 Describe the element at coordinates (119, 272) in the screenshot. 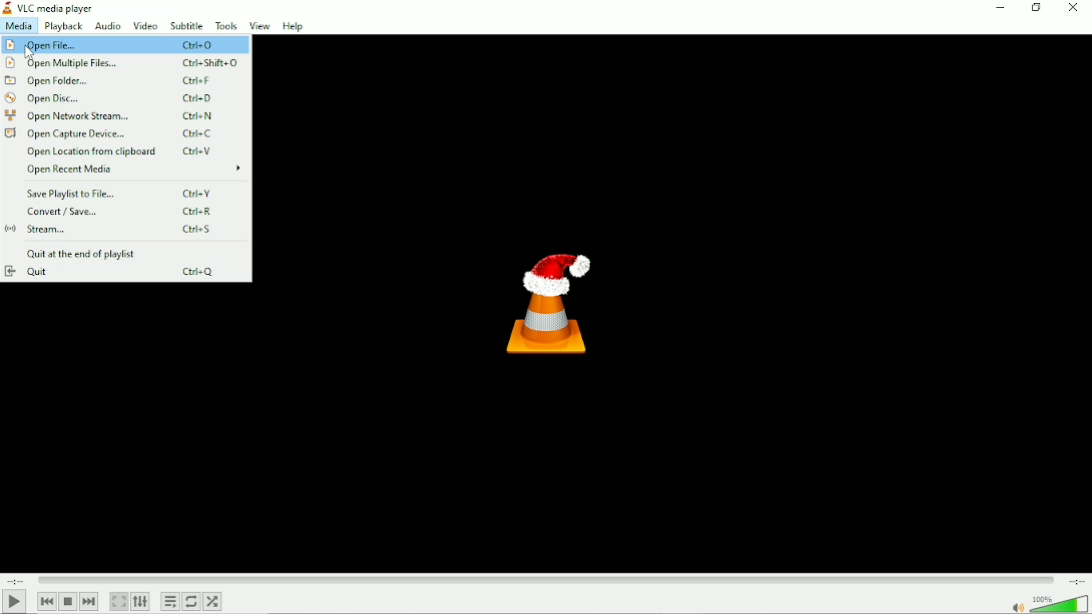

I see `Quit` at that location.